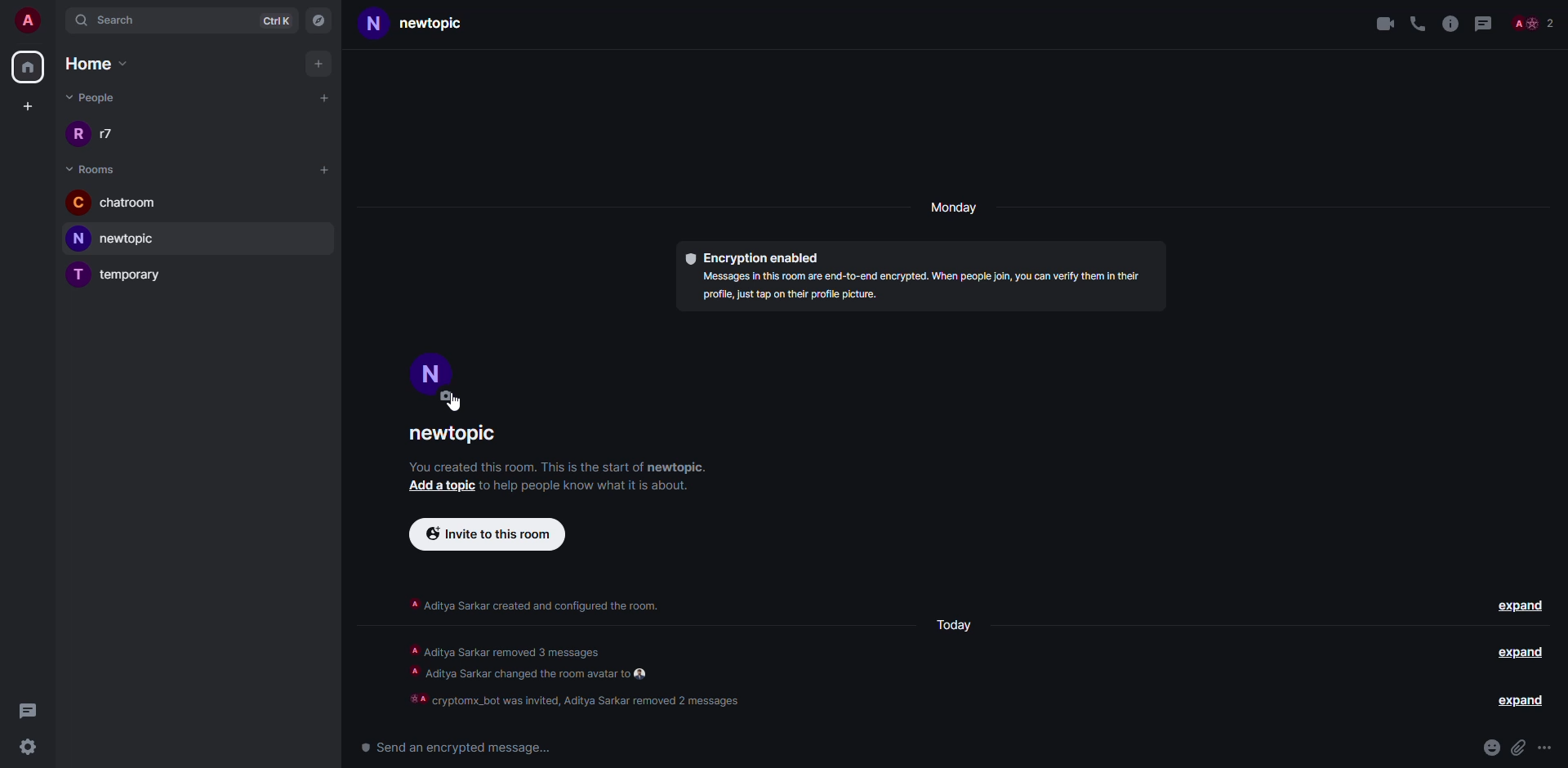 The image size is (1568, 768). Describe the element at coordinates (125, 203) in the screenshot. I see `chatroom` at that location.